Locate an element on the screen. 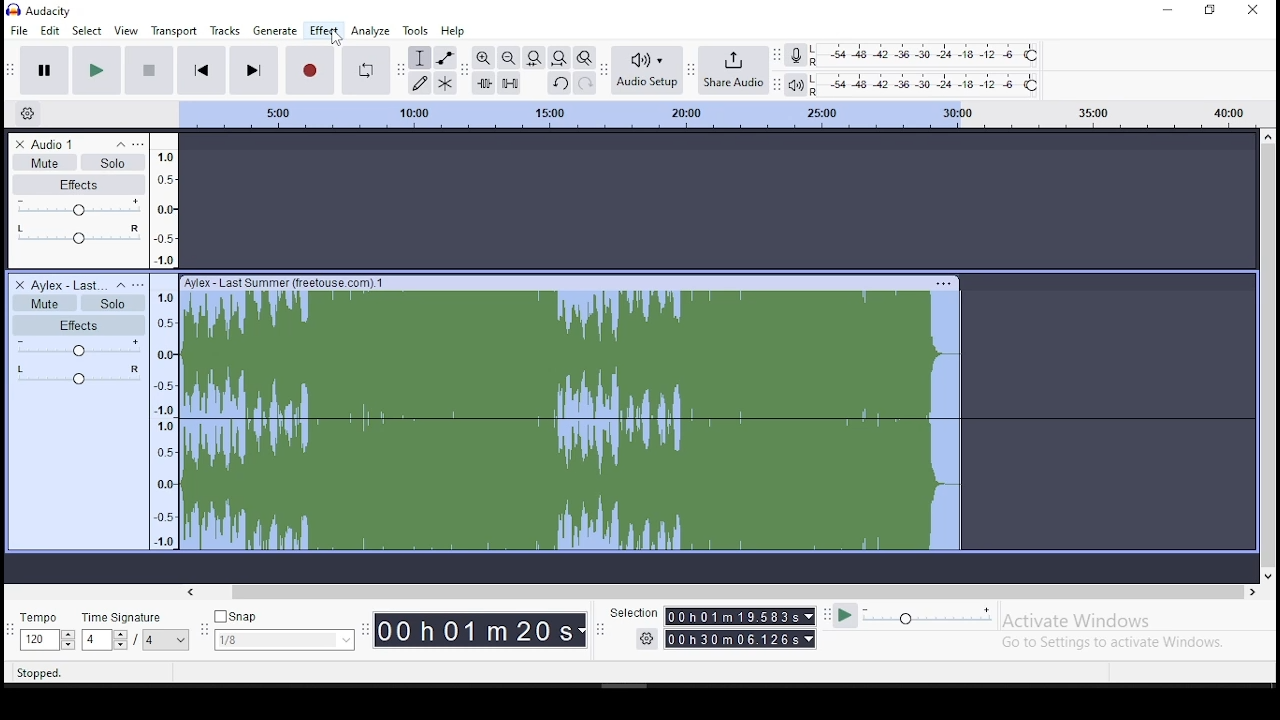 The width and height of the screenshot is (1280, 720). skip to start is located at coordinates (202, 69).